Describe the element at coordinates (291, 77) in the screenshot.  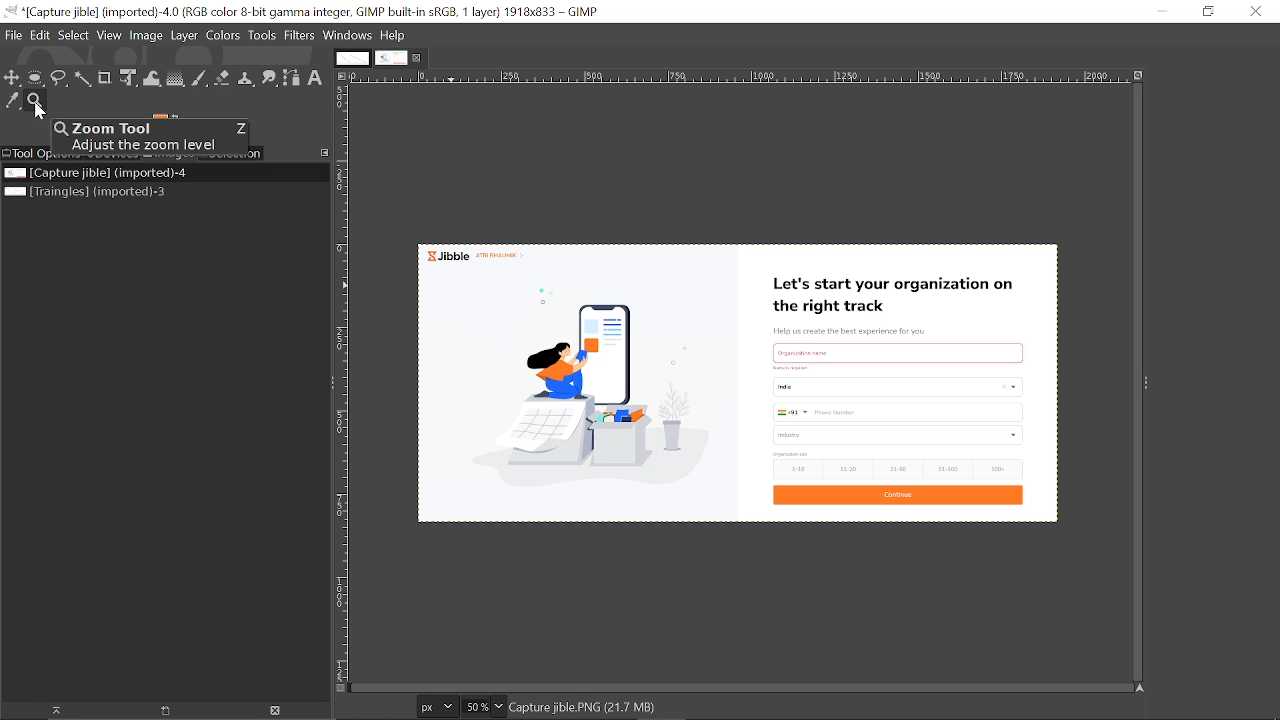
I see `paths tool` at that location.